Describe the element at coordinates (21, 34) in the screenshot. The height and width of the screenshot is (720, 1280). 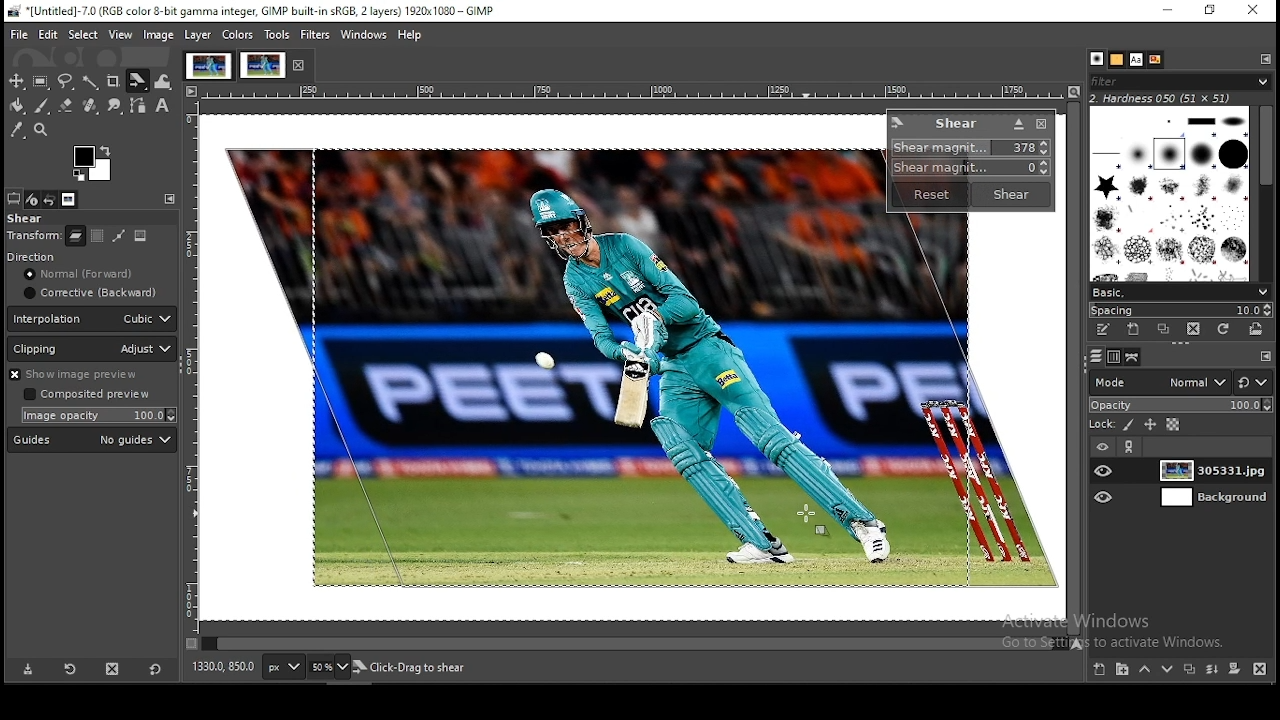
I see `file` at that location.